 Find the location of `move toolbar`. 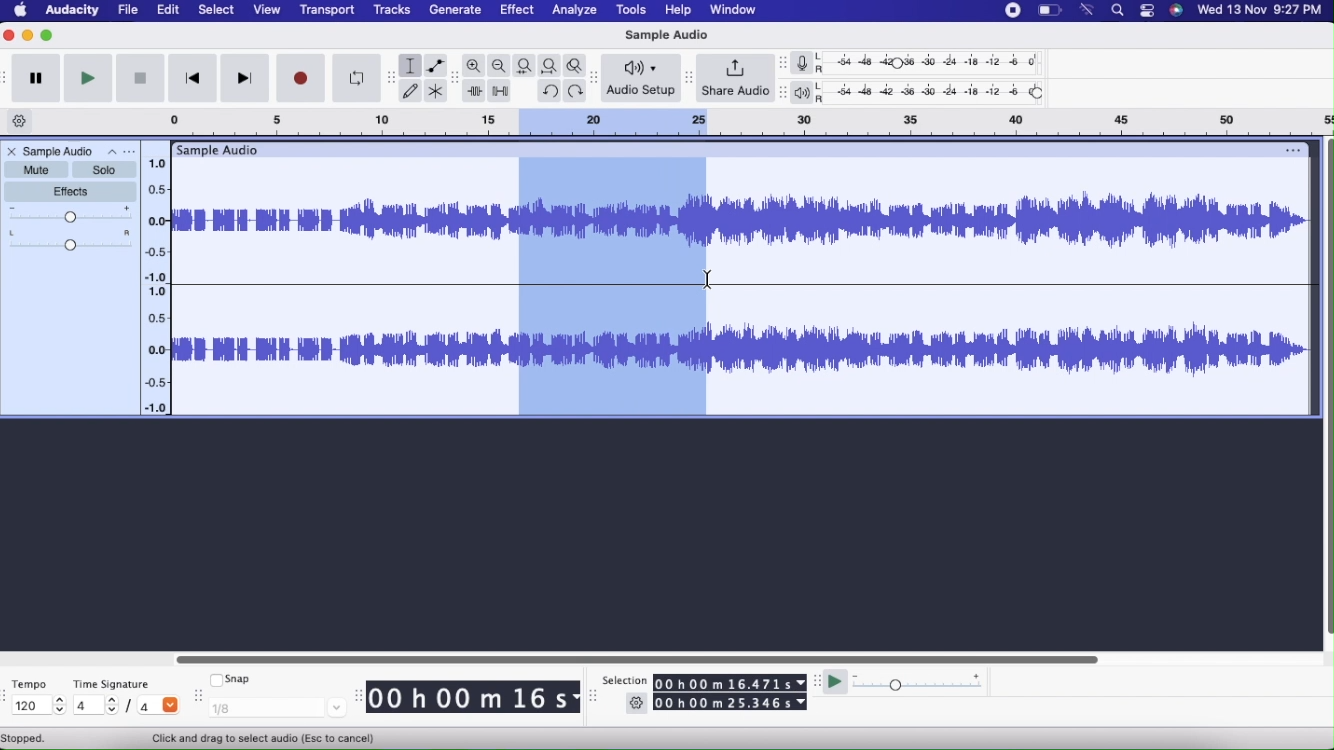

move toolbar is located at coordinates (784, 62).